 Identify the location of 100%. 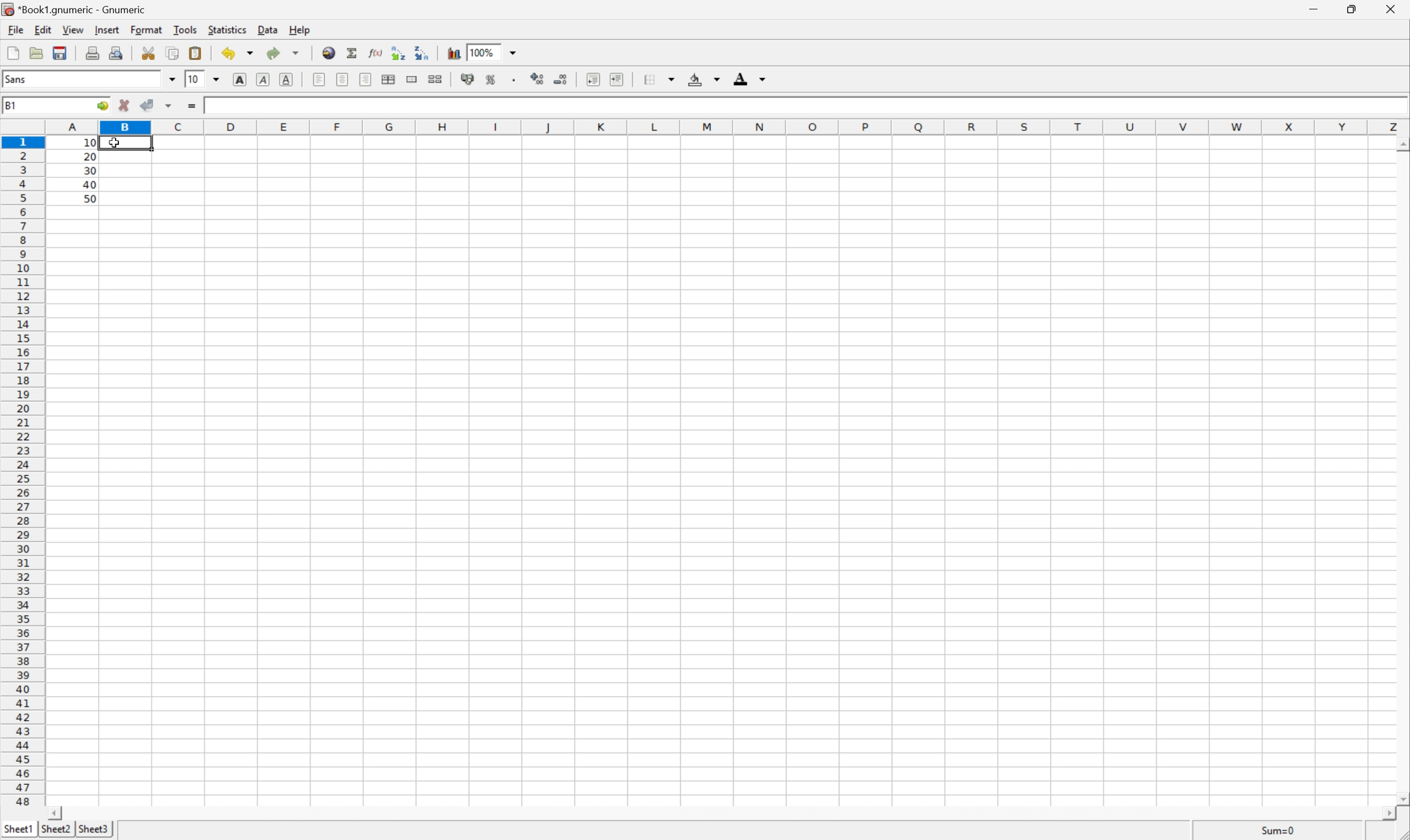
(483, 52).